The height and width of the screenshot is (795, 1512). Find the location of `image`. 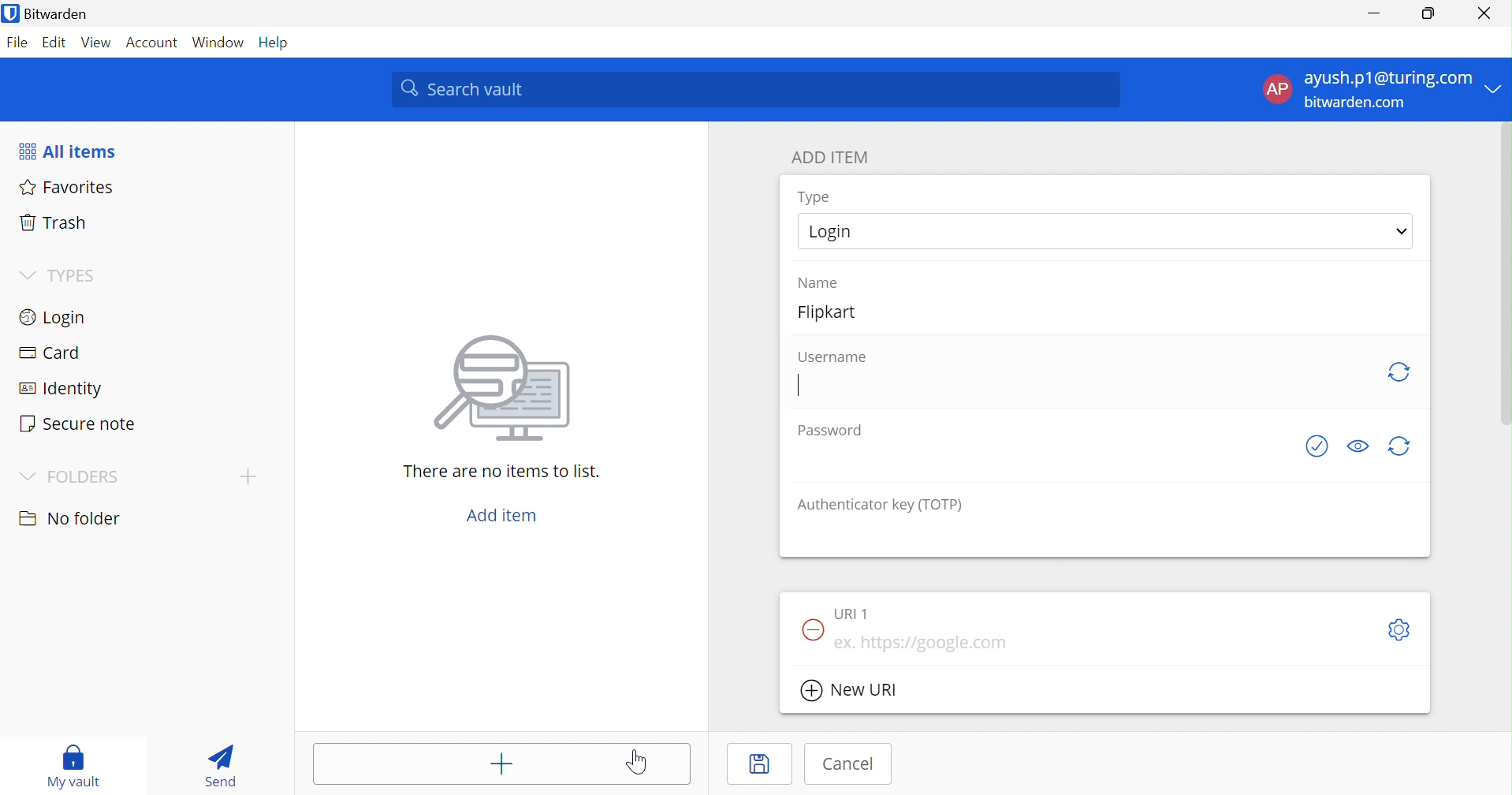

image is located at coordinates (509, 389).